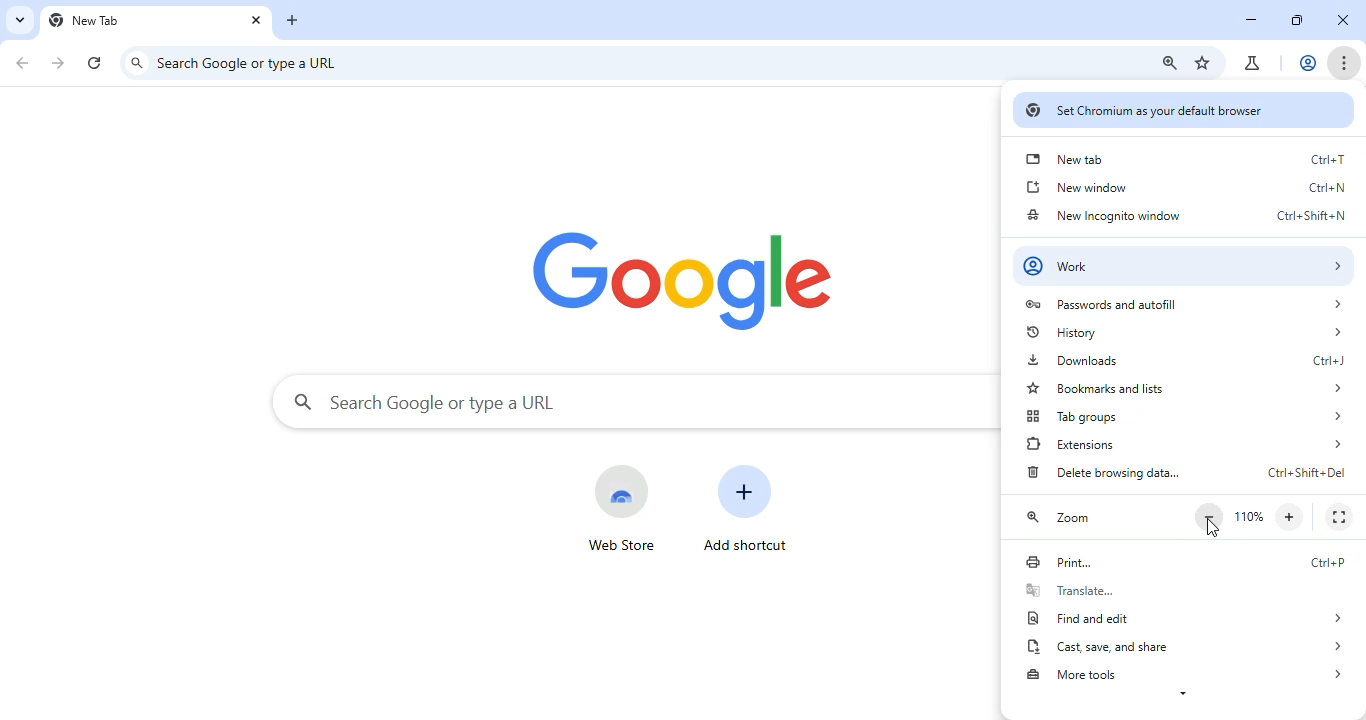 This screenshot has width=1366, height=720. What do you see at coordinates (1183, 215) in the screenshot?
I see `new incognito window` at bounding box center [1183, 215].